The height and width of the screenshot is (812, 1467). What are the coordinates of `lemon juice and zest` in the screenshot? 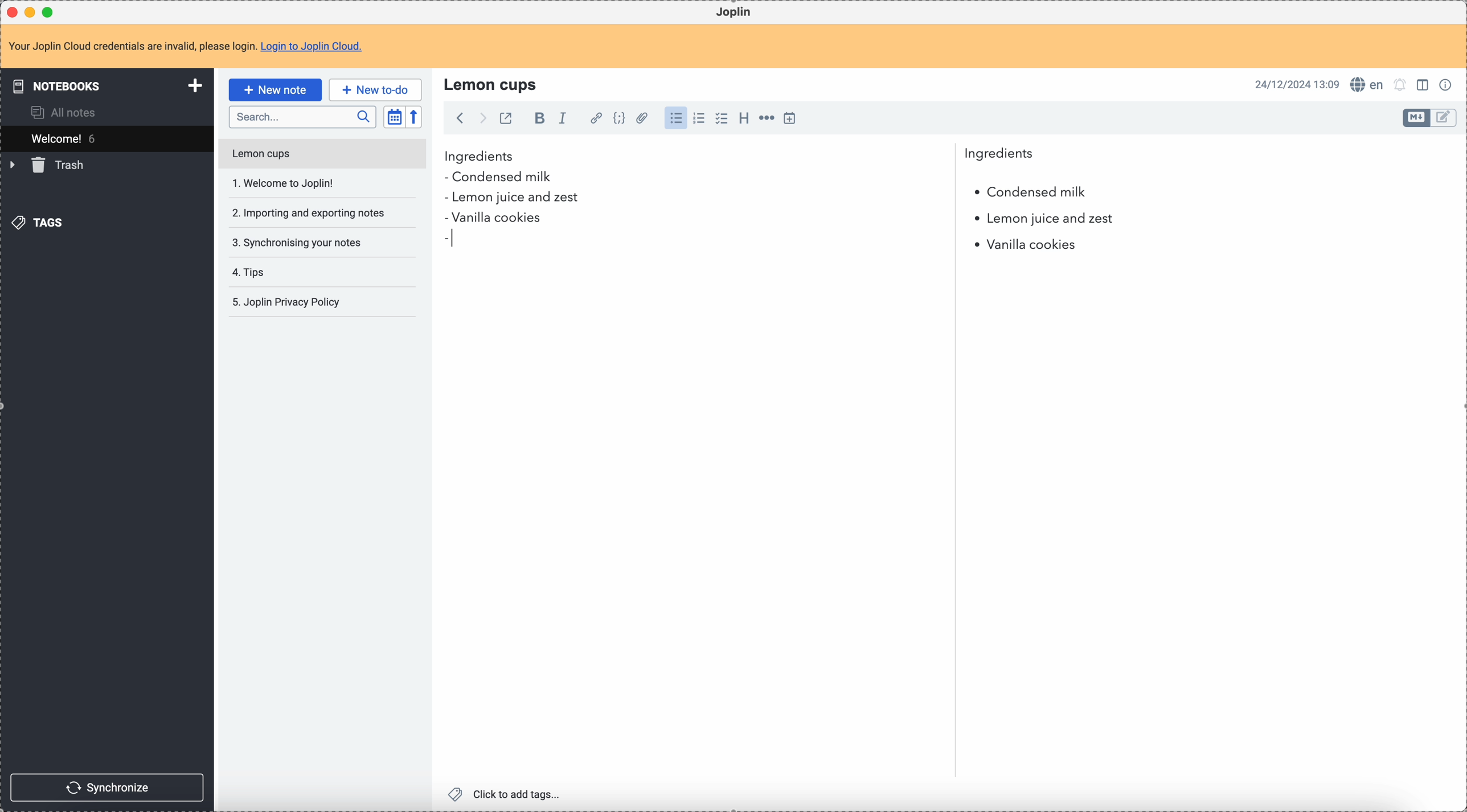 It's located at (511, 199).